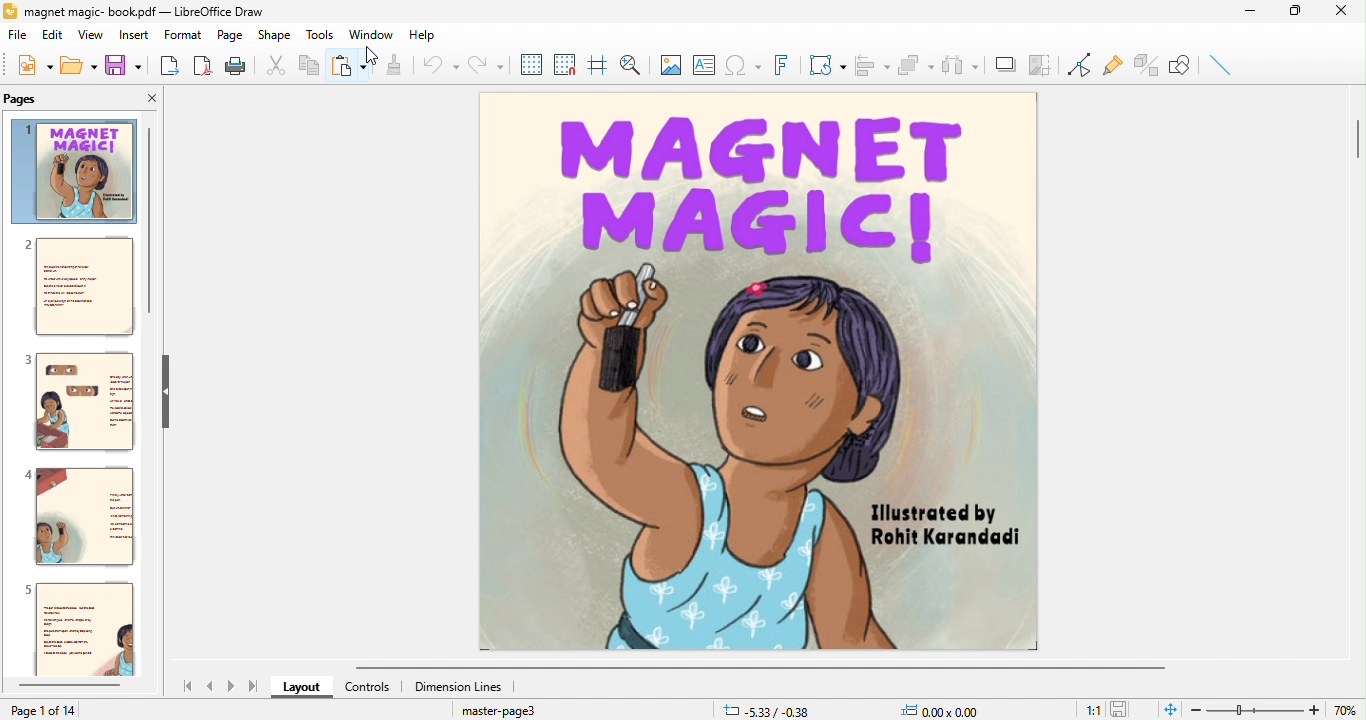 This screenshot has height=720, width=1366. What do you see at coordinates (428, 34) in the screenshot?
I see `help` at bounding box center [428, 34].